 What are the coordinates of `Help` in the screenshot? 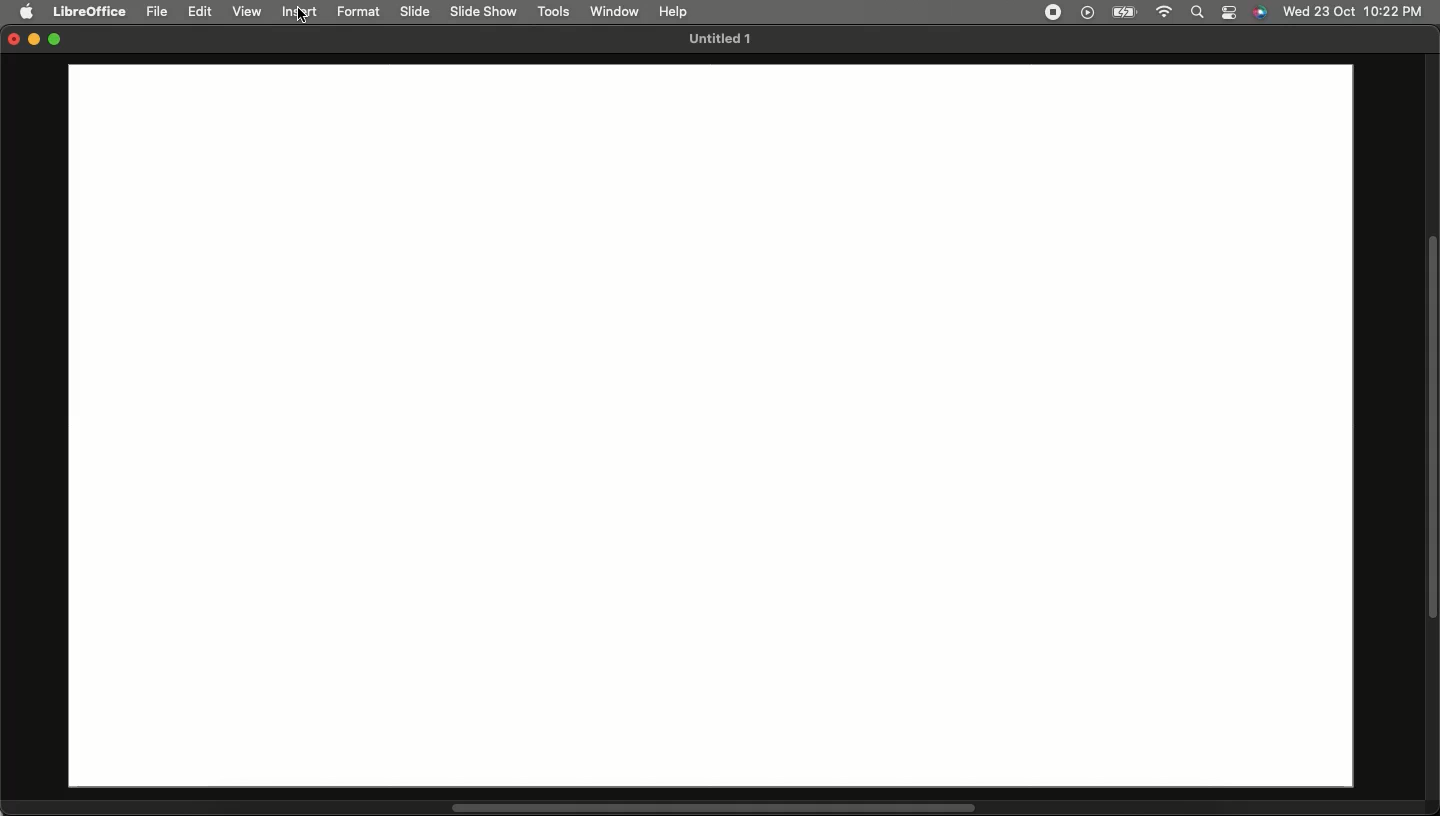 It's located at (673, 9).